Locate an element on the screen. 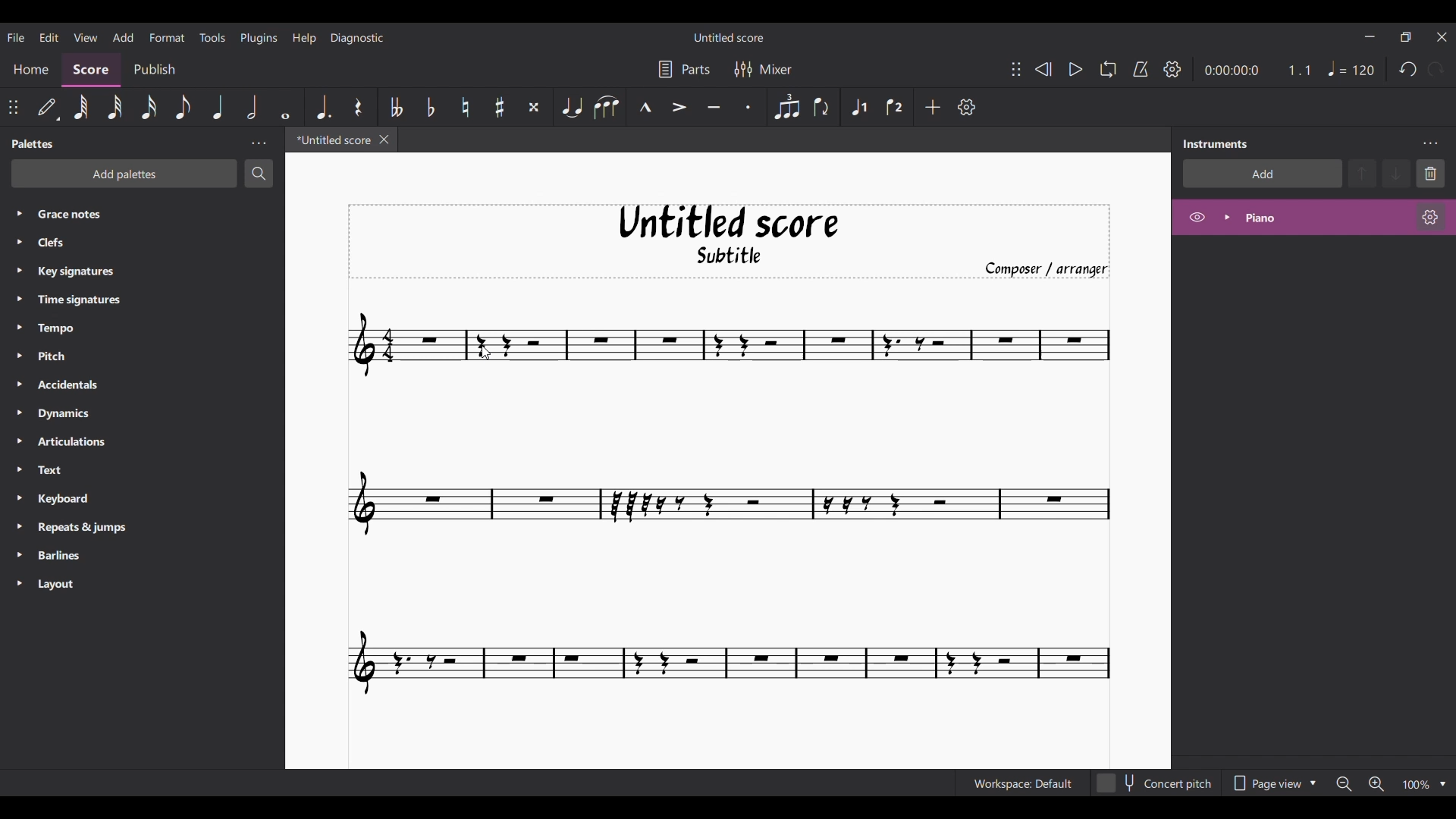 Image resolution: width=1456 pixels, height=819 pixels. Zoom factor is located at coordinates (1417, 784).